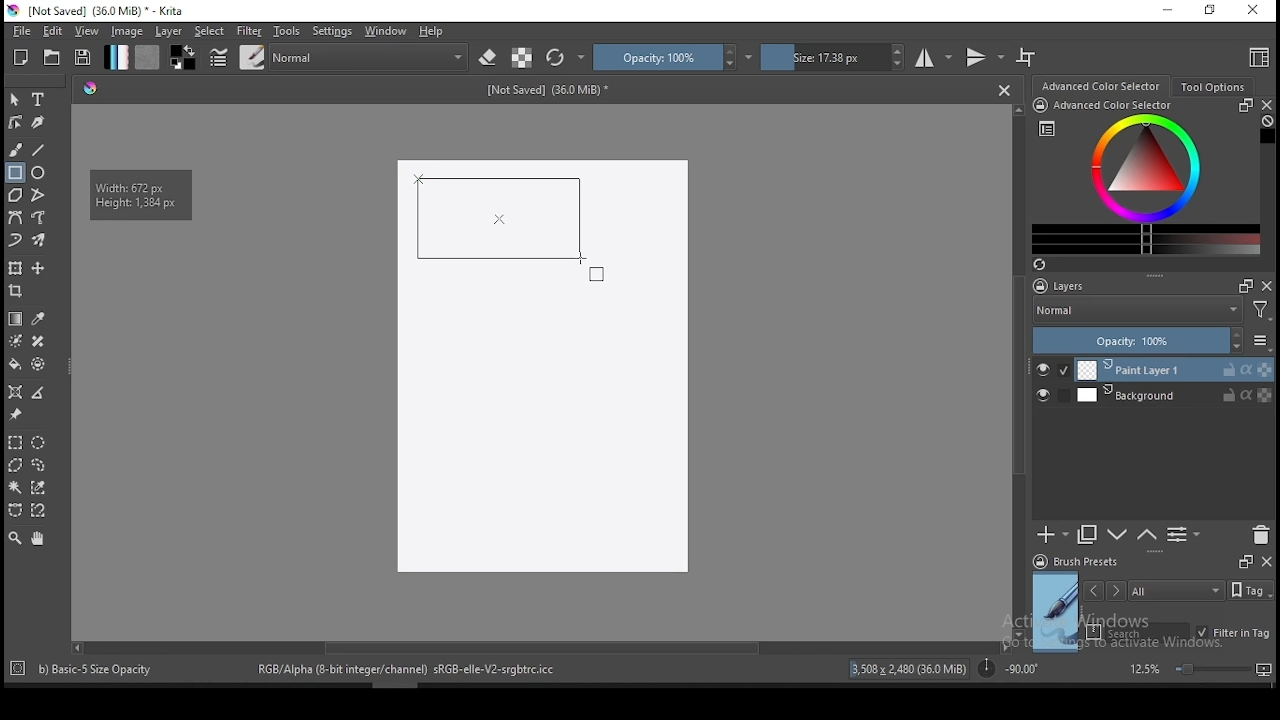 The width and height of the screenshot is (1280, 720). I want to click on new layer, so click(1053, 534).